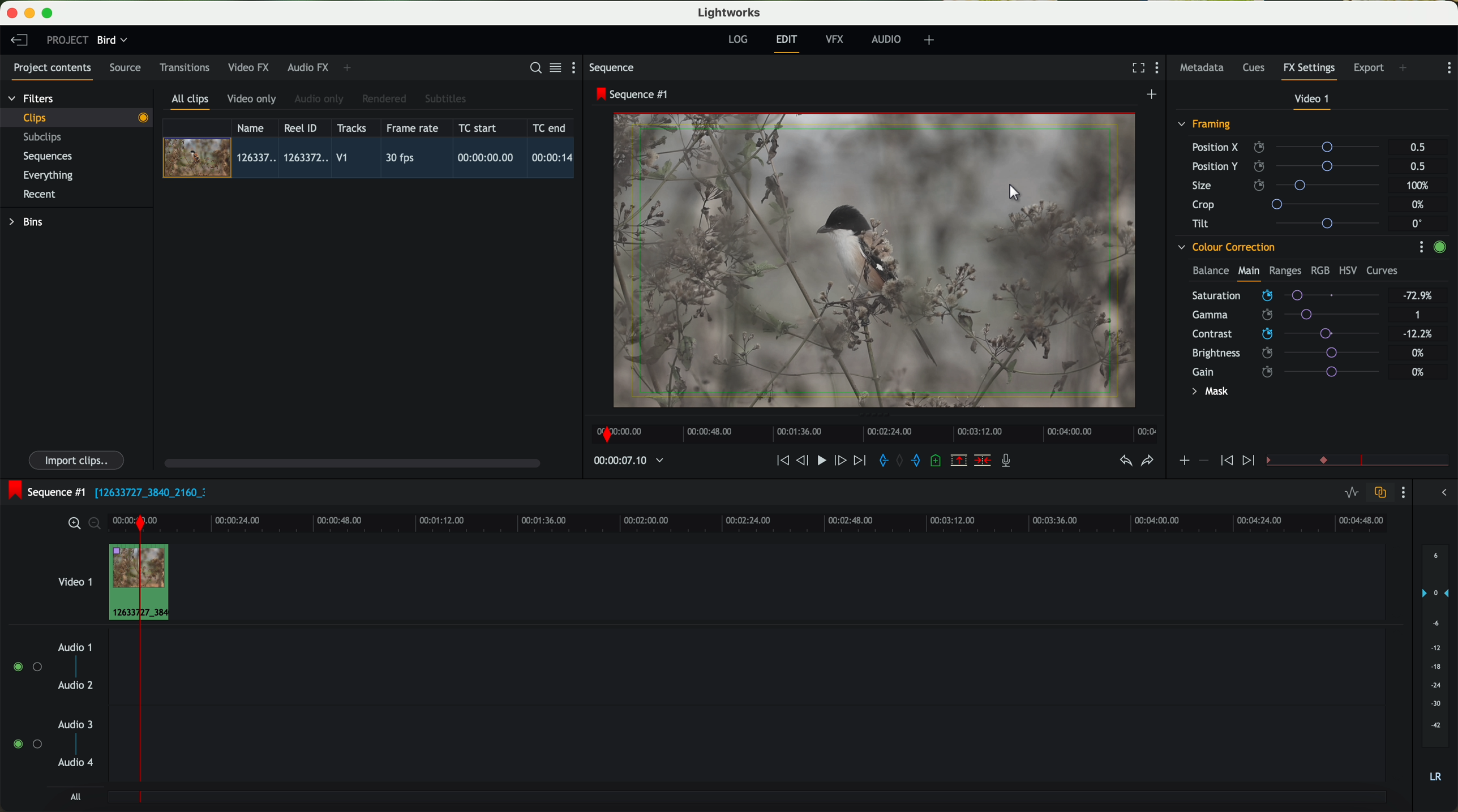  I want to click on video 1, so click(74, 579).